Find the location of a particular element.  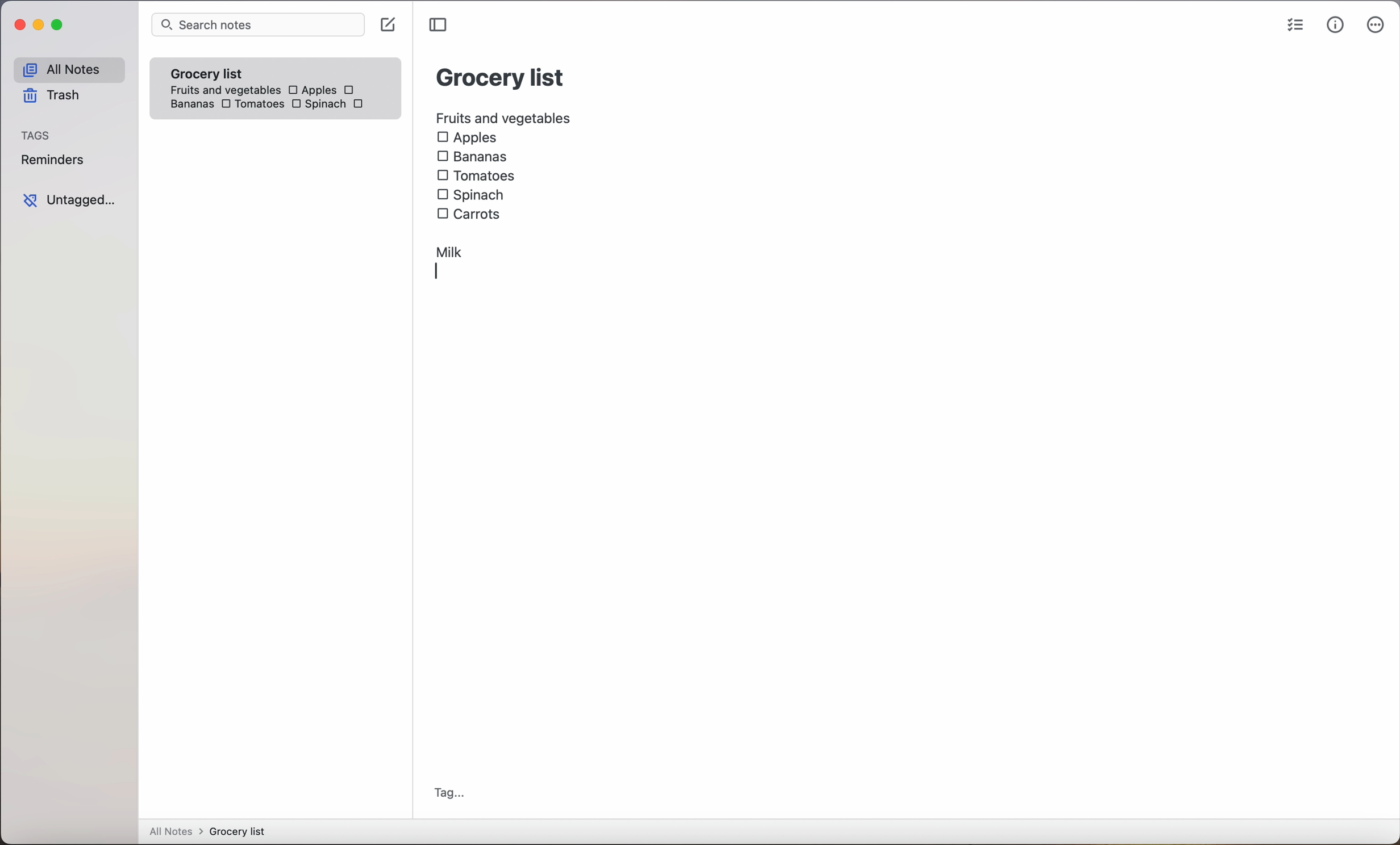

metrics is located at coordinates (1335, 26).